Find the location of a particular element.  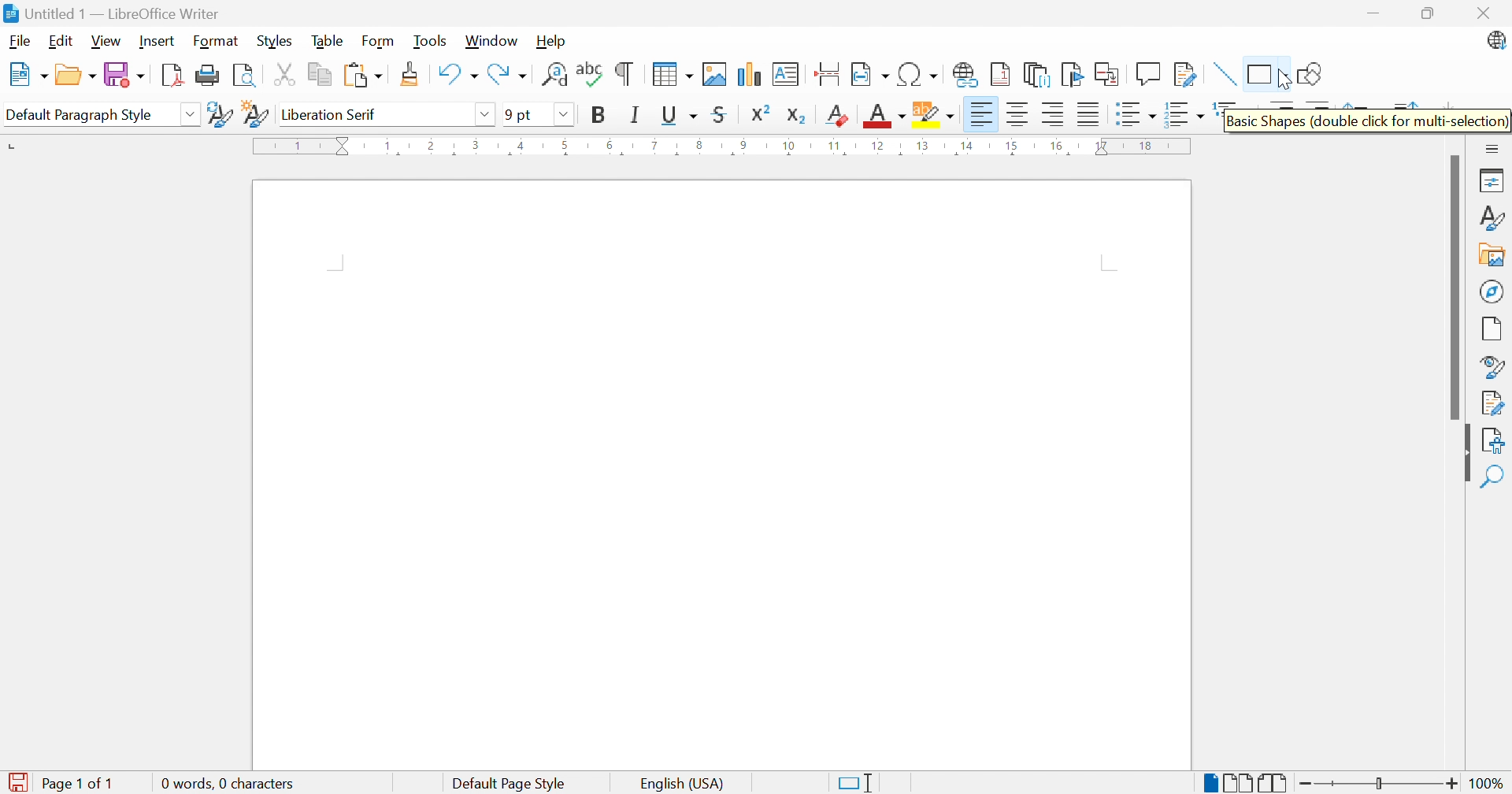

Subscript is located at coordinates (797, 116).